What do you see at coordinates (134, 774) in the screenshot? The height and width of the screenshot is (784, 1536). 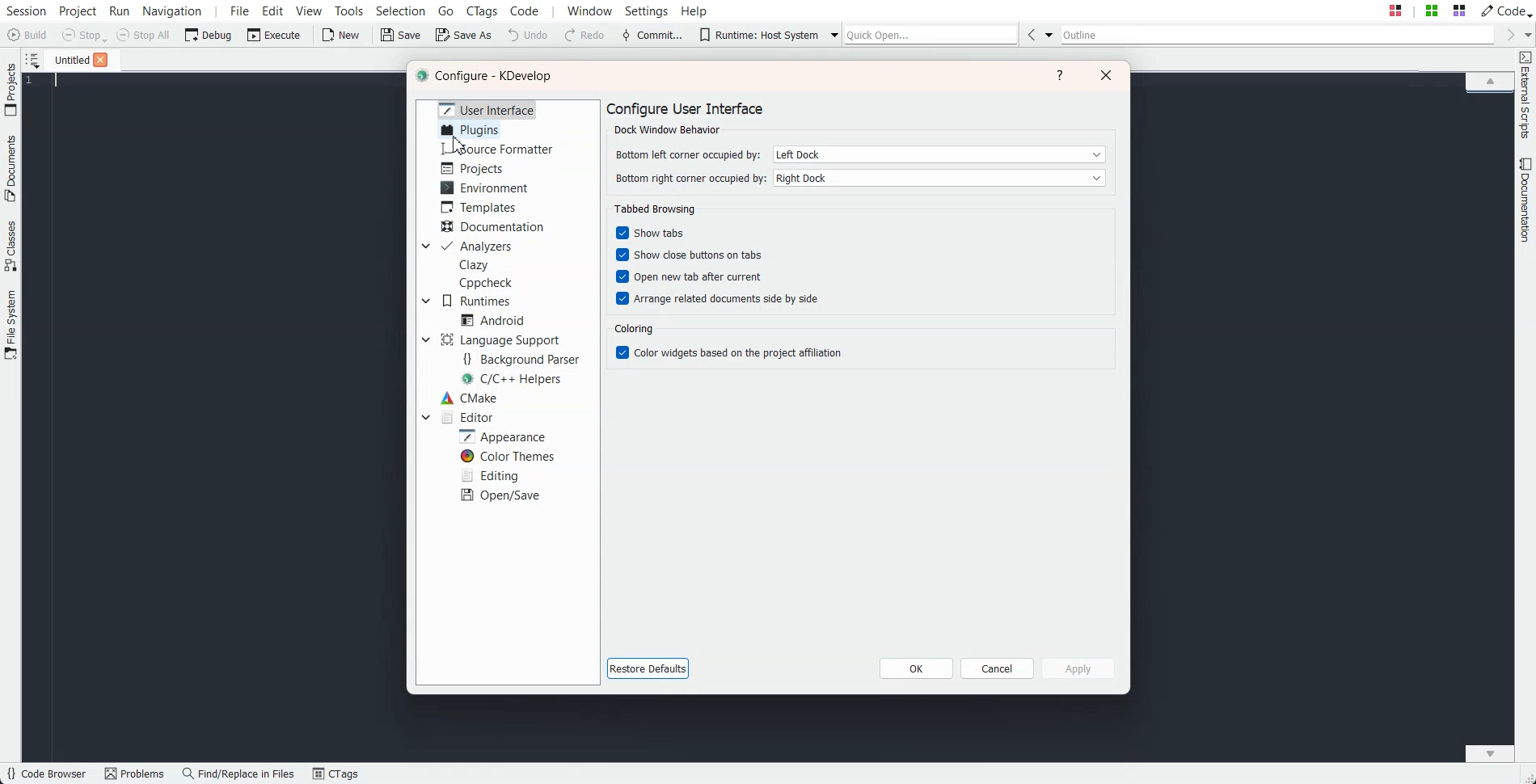 I see `Problems` at bounding box center [134, 774].